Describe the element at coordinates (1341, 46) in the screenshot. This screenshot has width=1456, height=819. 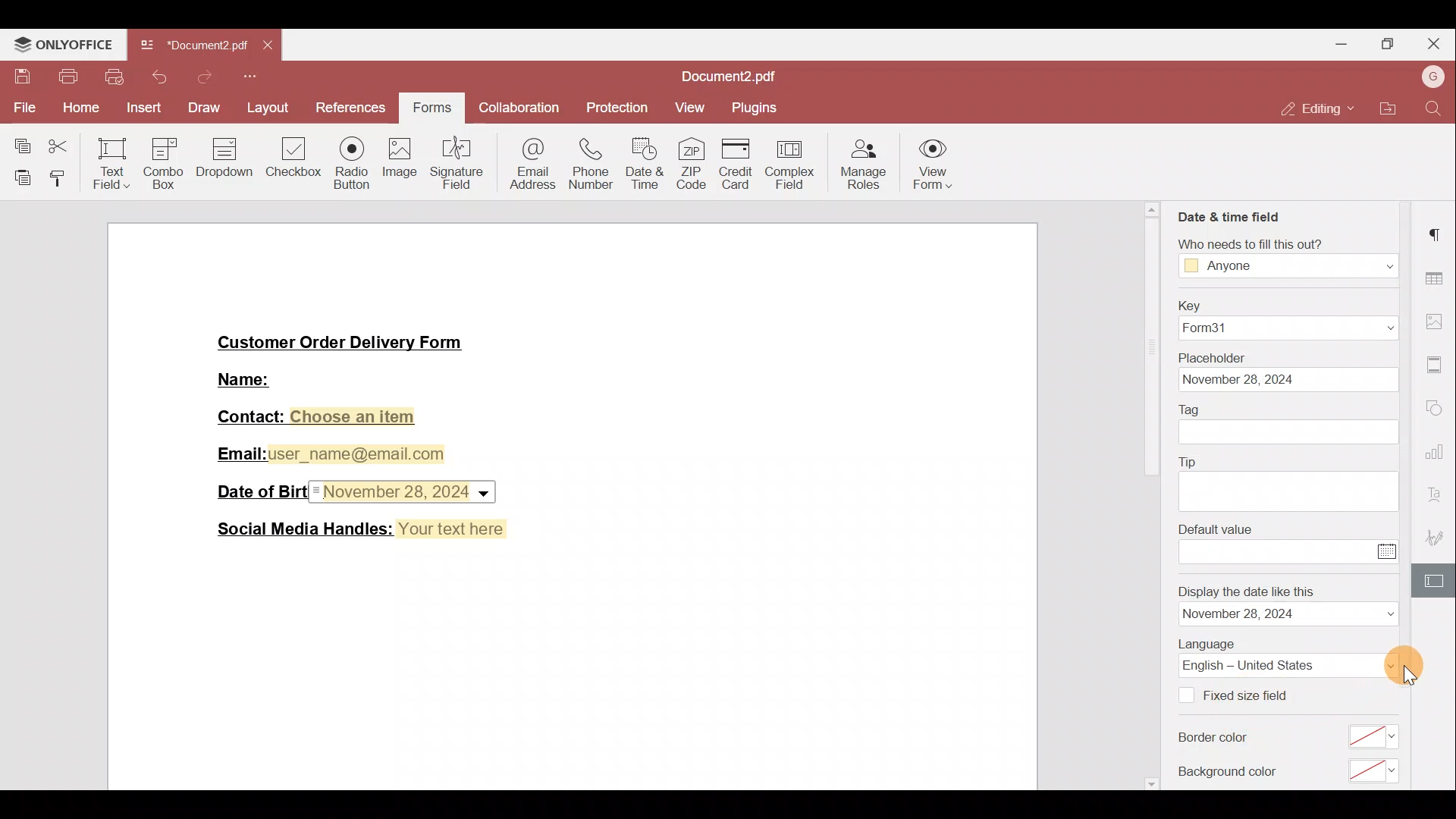
I see `Minimise` at that location.